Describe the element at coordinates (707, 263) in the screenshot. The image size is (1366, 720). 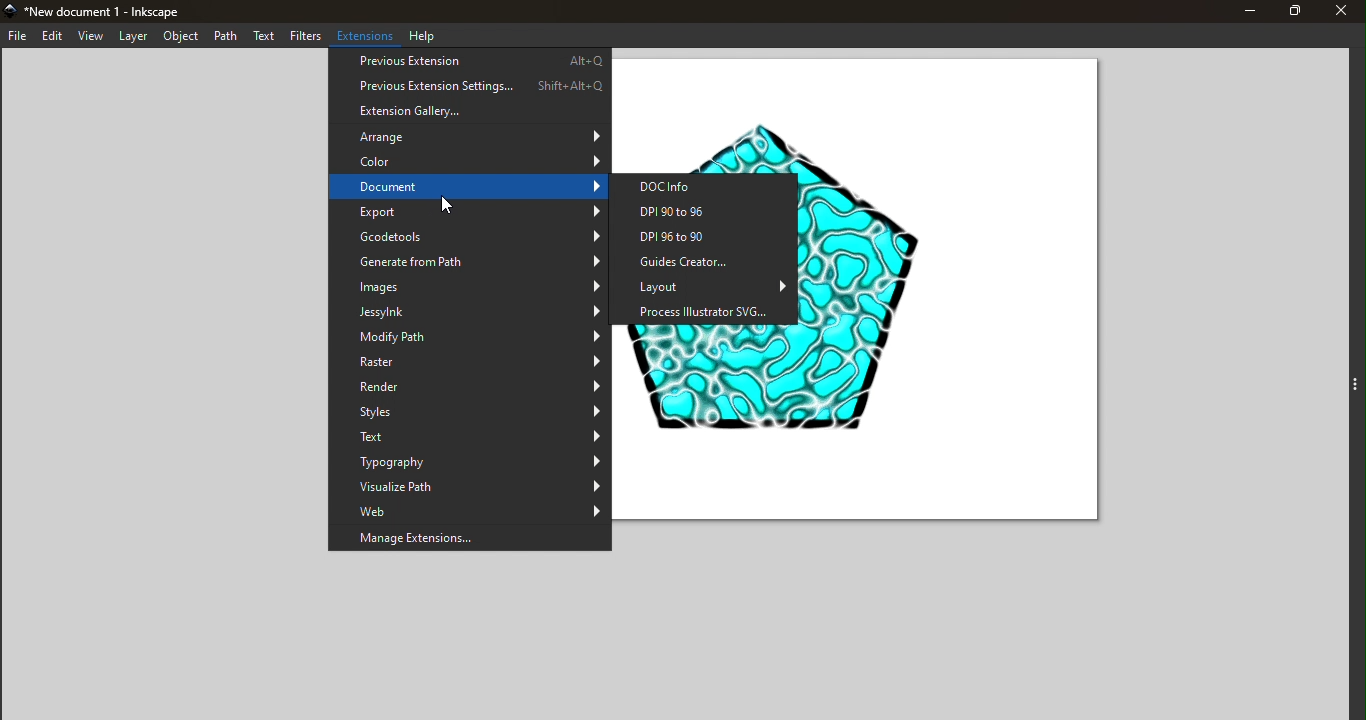
I see `Guides Creator` at that location.